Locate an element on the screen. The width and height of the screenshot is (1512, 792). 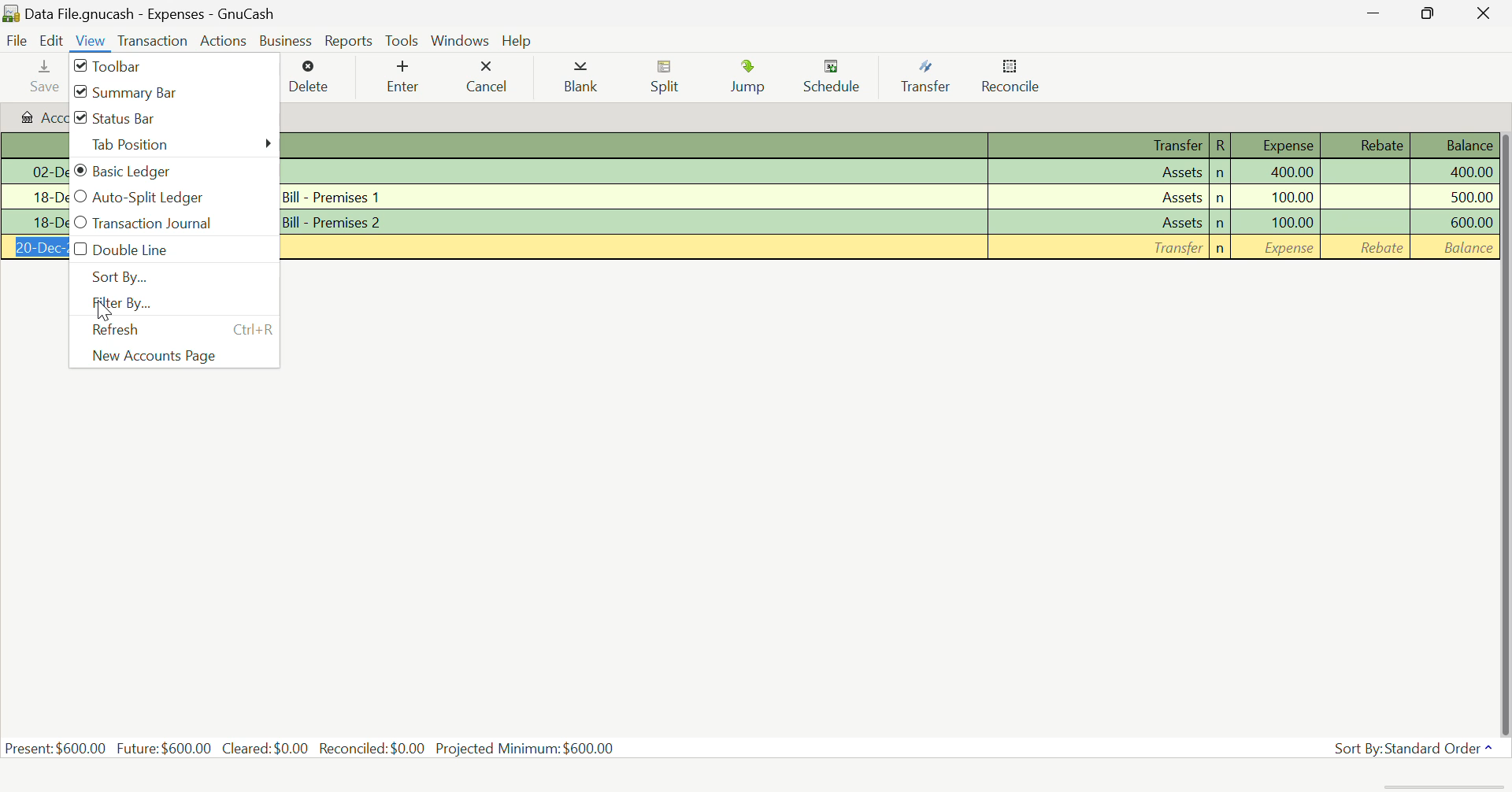
Rebate is located at coordinates (1365, 196).